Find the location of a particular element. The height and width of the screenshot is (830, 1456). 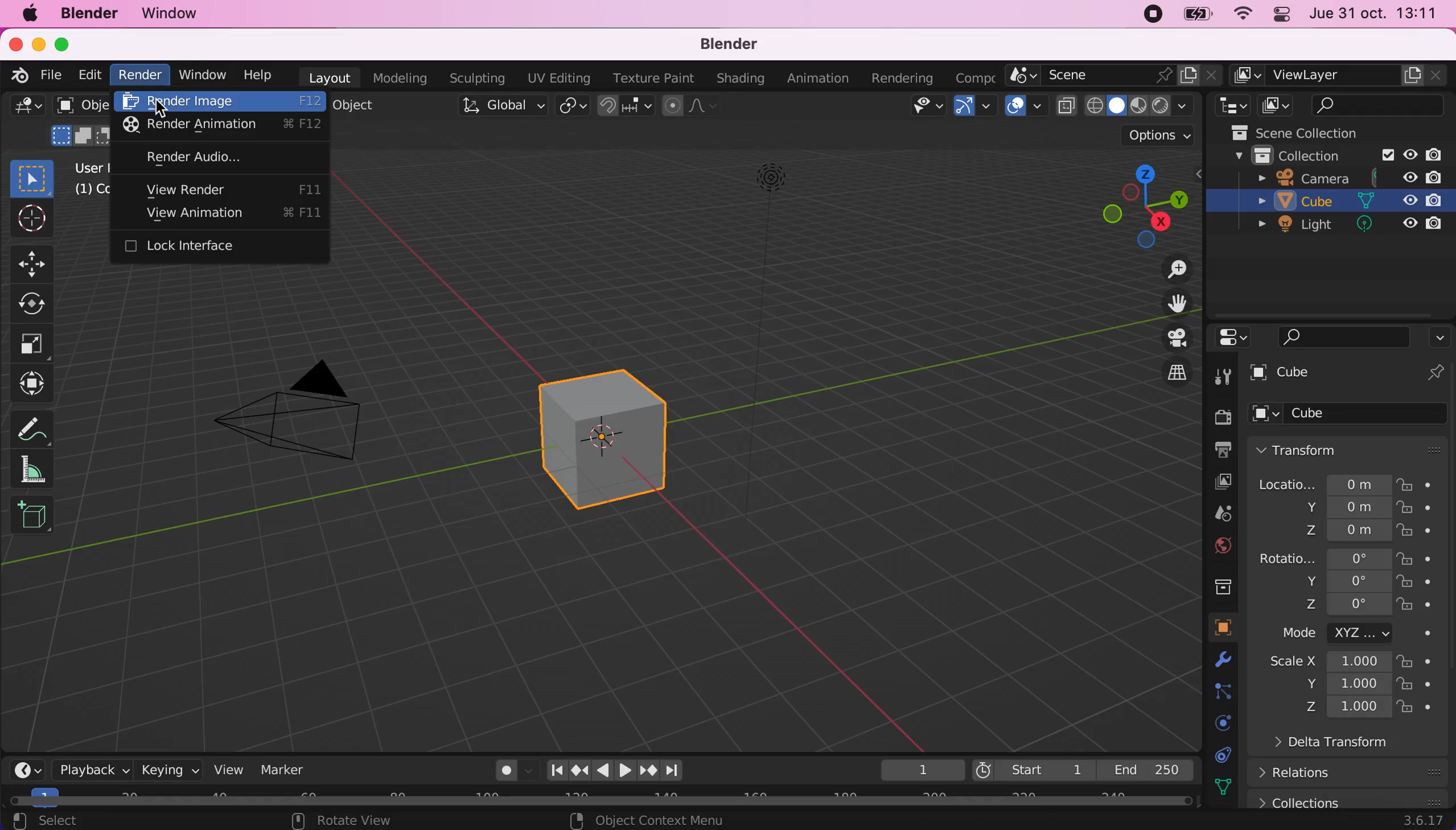

search bar is located at coordinates (1335, 337).